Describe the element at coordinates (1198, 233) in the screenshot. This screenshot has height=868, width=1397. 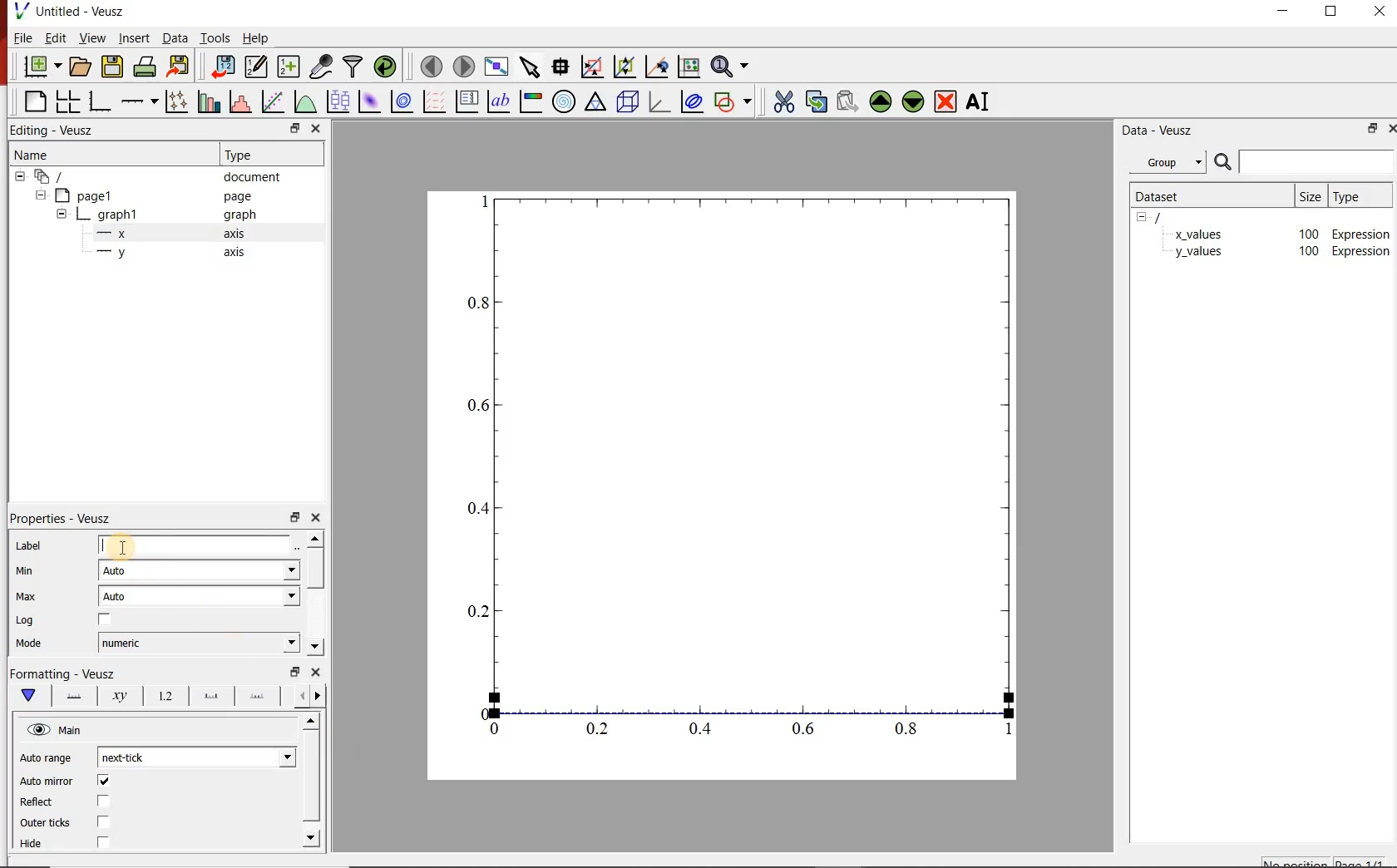
I see `x_values` at that location.